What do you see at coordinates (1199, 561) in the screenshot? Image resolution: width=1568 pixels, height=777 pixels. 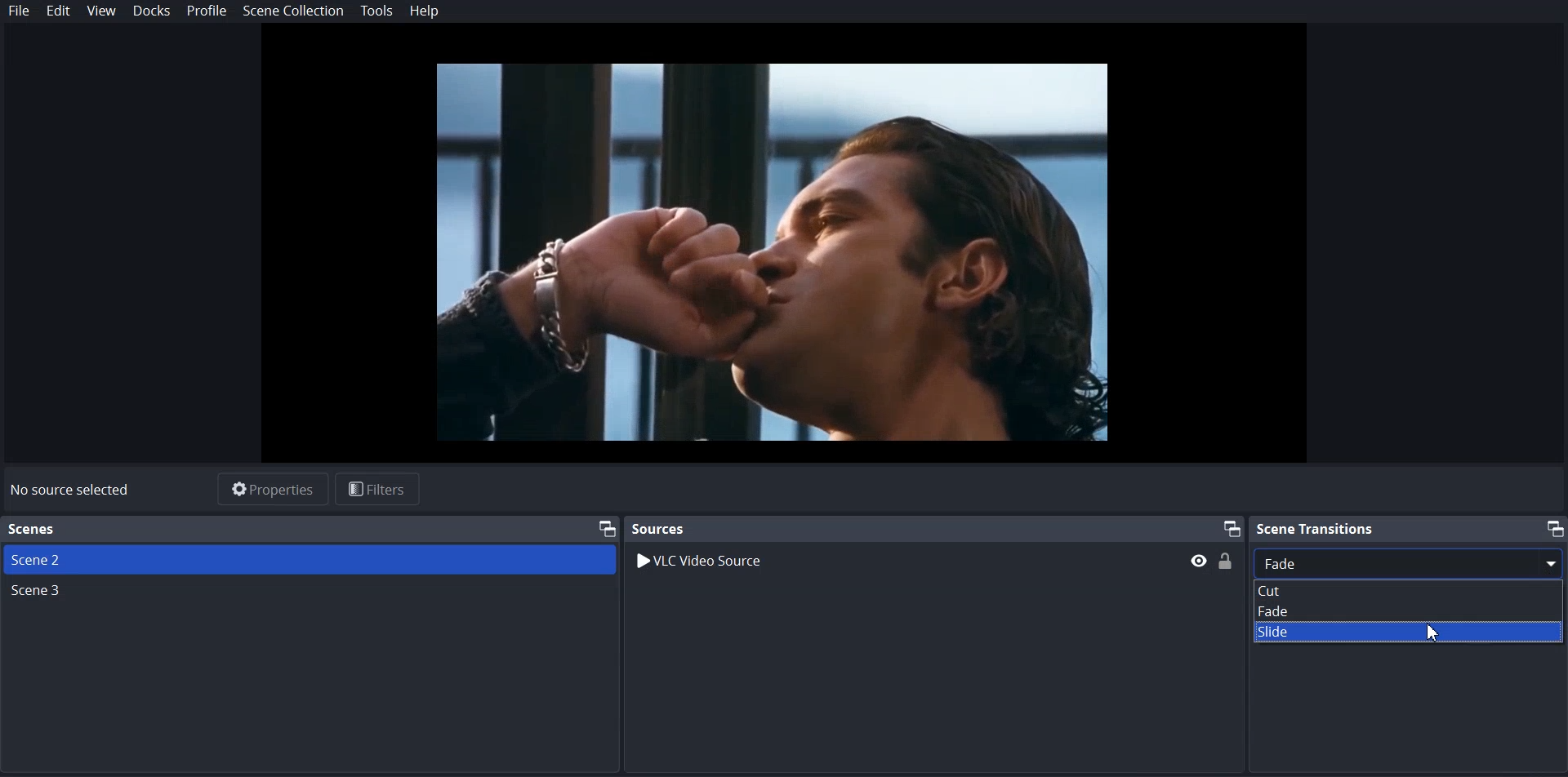 I see `hide/display` at bounding box center [1199, 561].